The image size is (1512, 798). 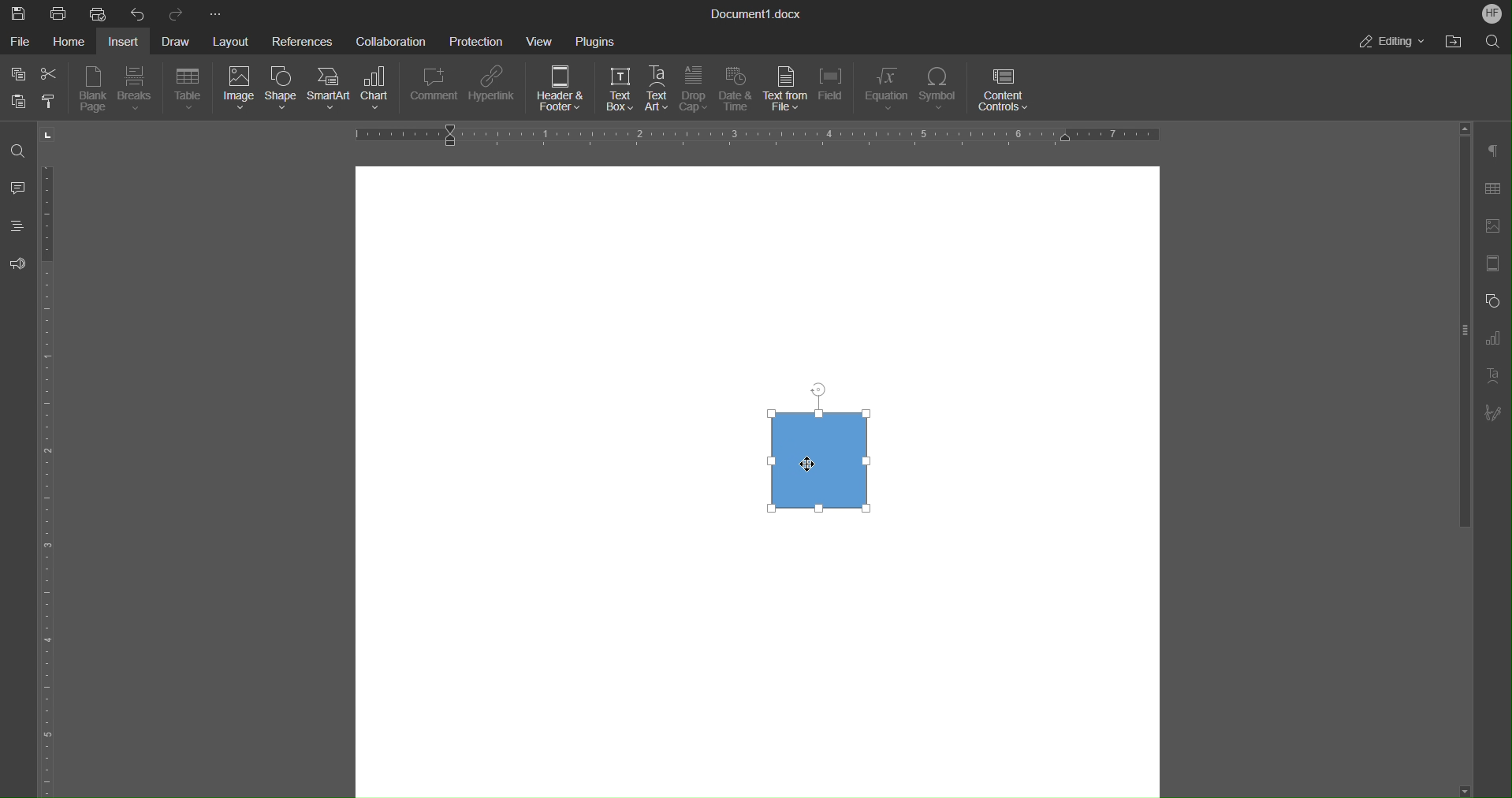 What do you see at coordinates (808, 466) in the screenshot?
I see `cursor` at bounding box center [808, 466].